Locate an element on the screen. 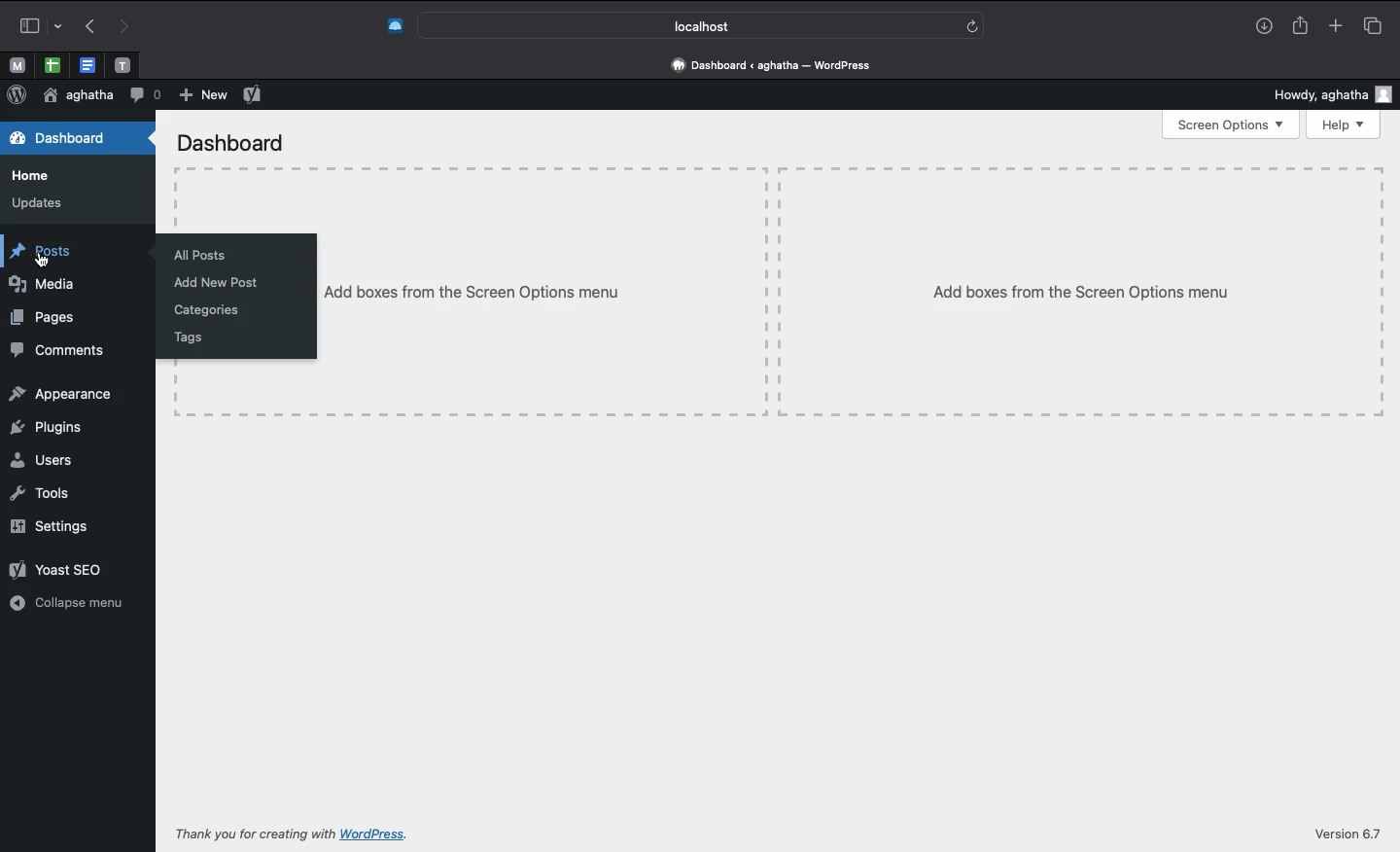 The image size is (1400, 852). Yoast SEO is located at coordinates (254, 94).